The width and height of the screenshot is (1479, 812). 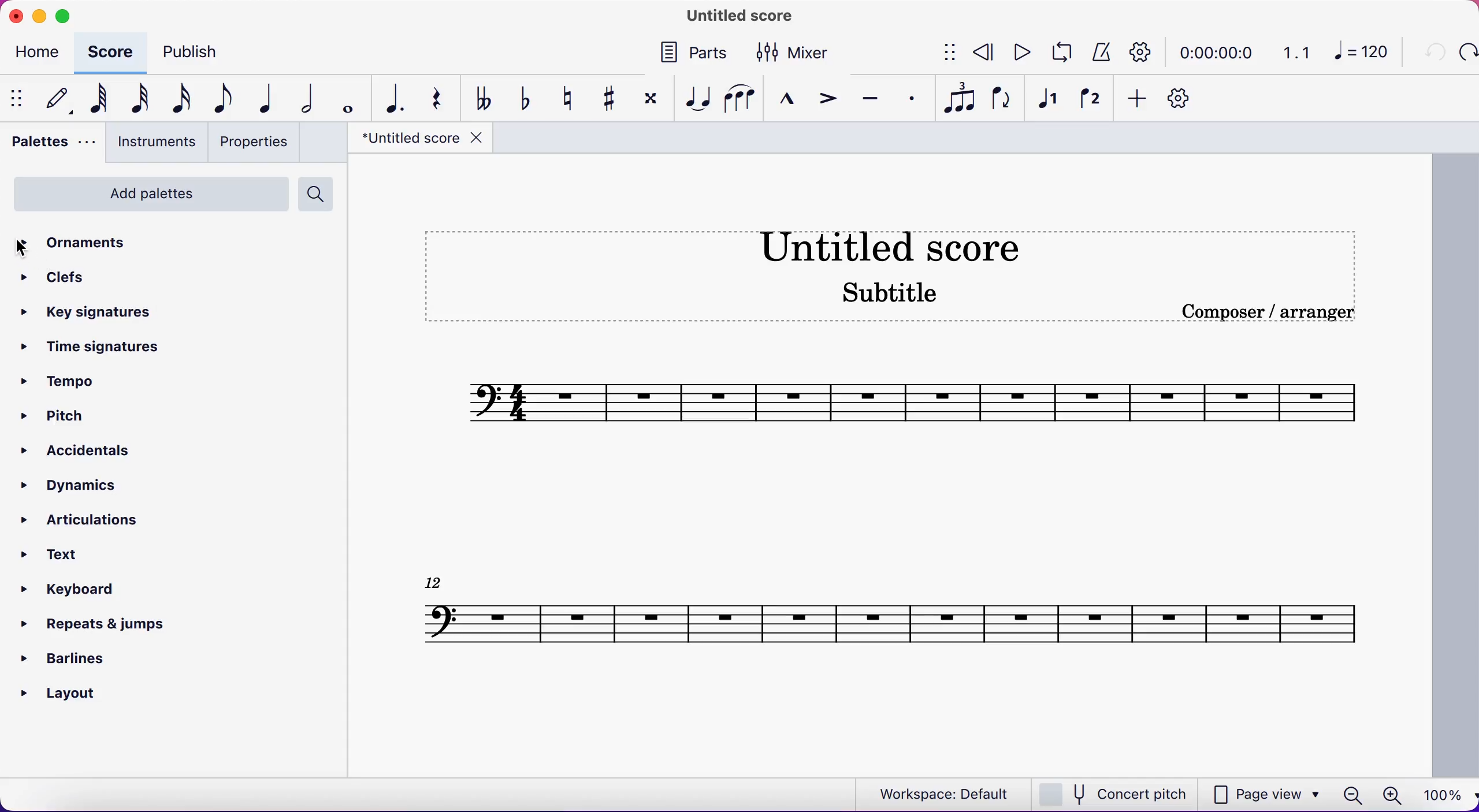 What do you see at coordinates (68, 660) in the screenshot?
I see `barlines` at bounding box center [68, 660].